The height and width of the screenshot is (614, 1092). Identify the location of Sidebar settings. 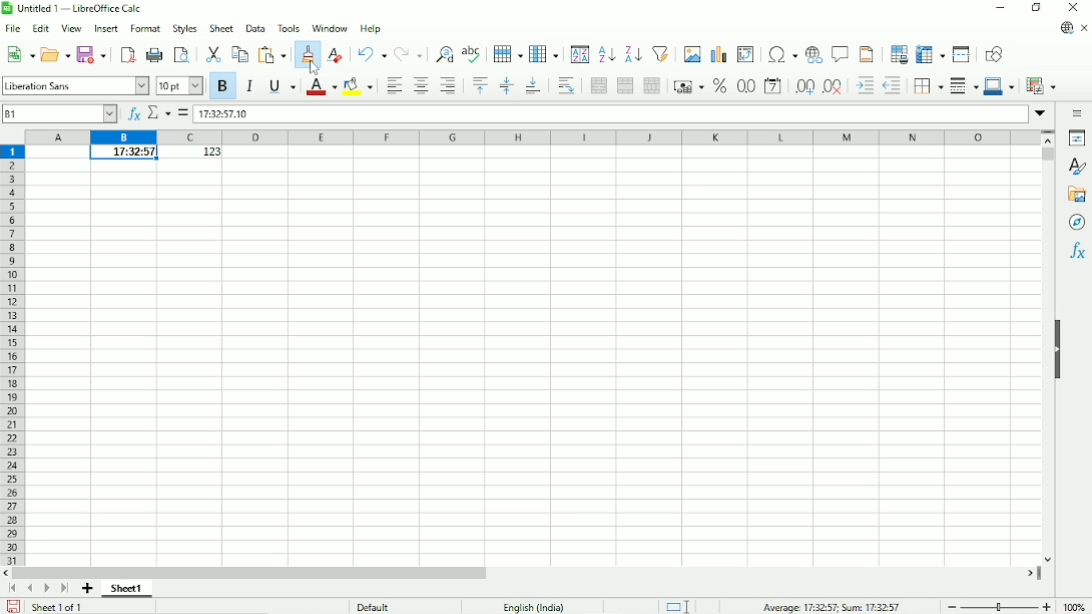
(1076, 114).